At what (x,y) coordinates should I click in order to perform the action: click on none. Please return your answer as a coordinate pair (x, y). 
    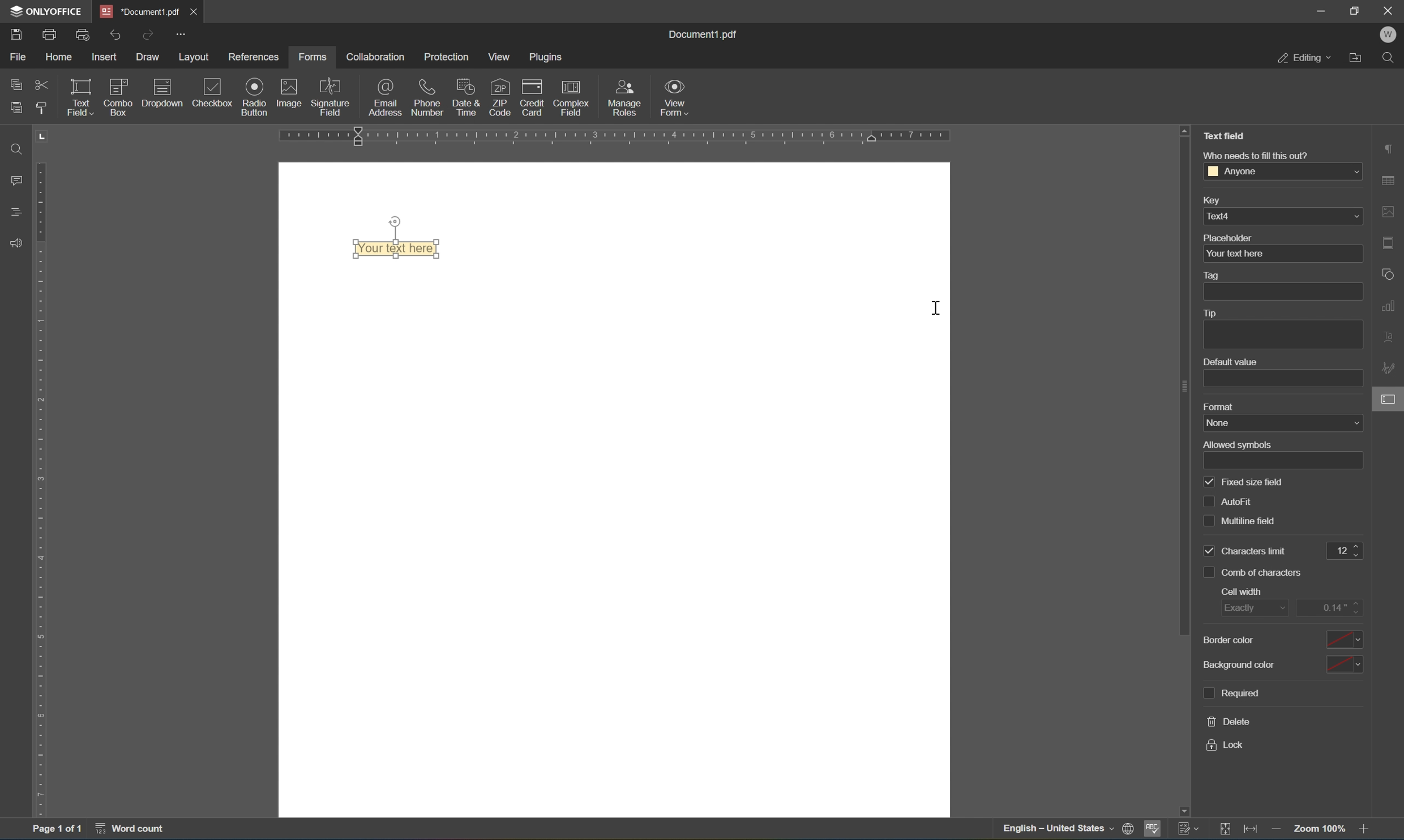
    Looking at the image, I should click on (1268, 422).